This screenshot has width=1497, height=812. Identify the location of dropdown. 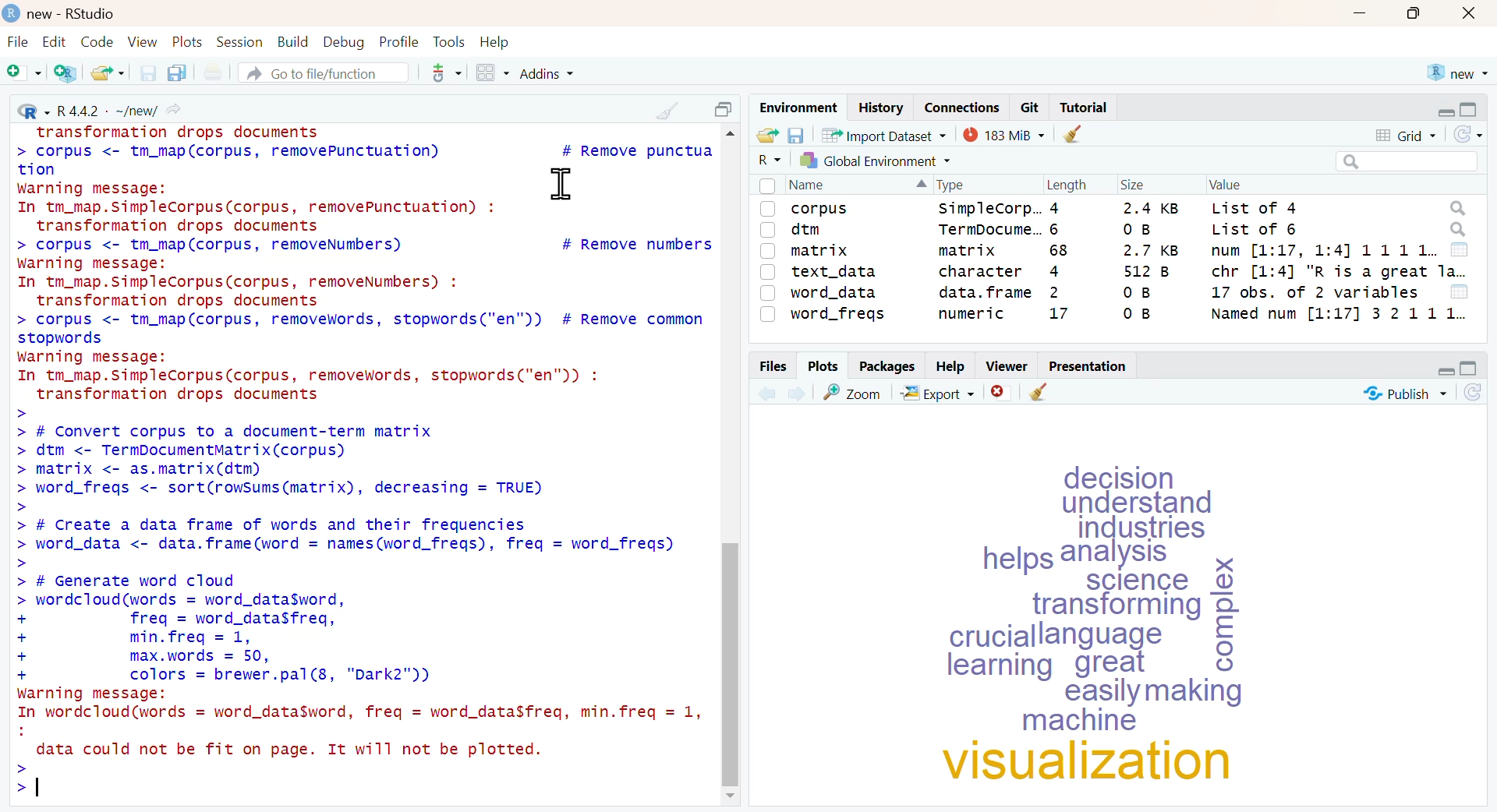
(917, 185).